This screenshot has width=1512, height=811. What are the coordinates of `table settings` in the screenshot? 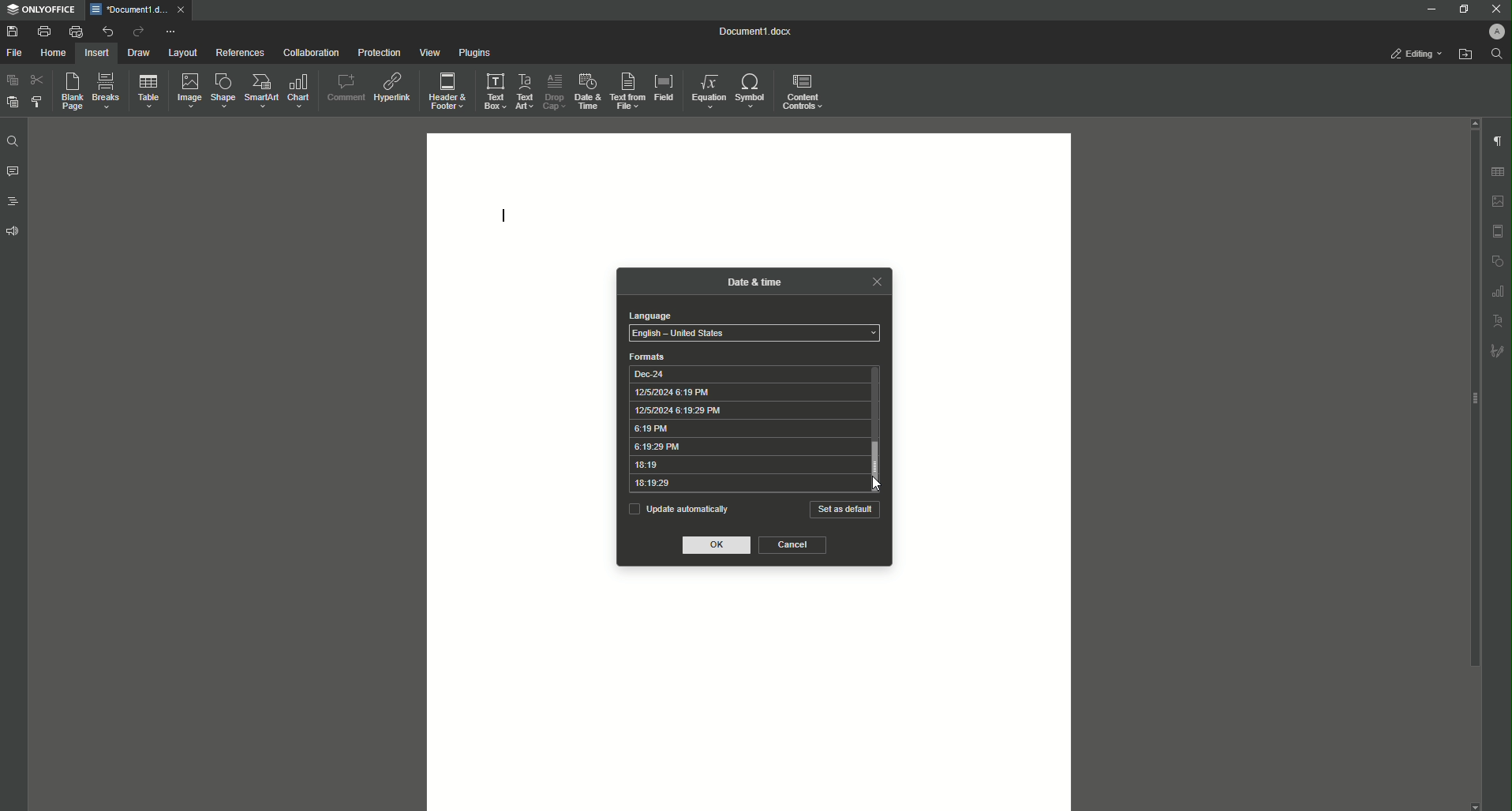 It's located at (1497, 172).